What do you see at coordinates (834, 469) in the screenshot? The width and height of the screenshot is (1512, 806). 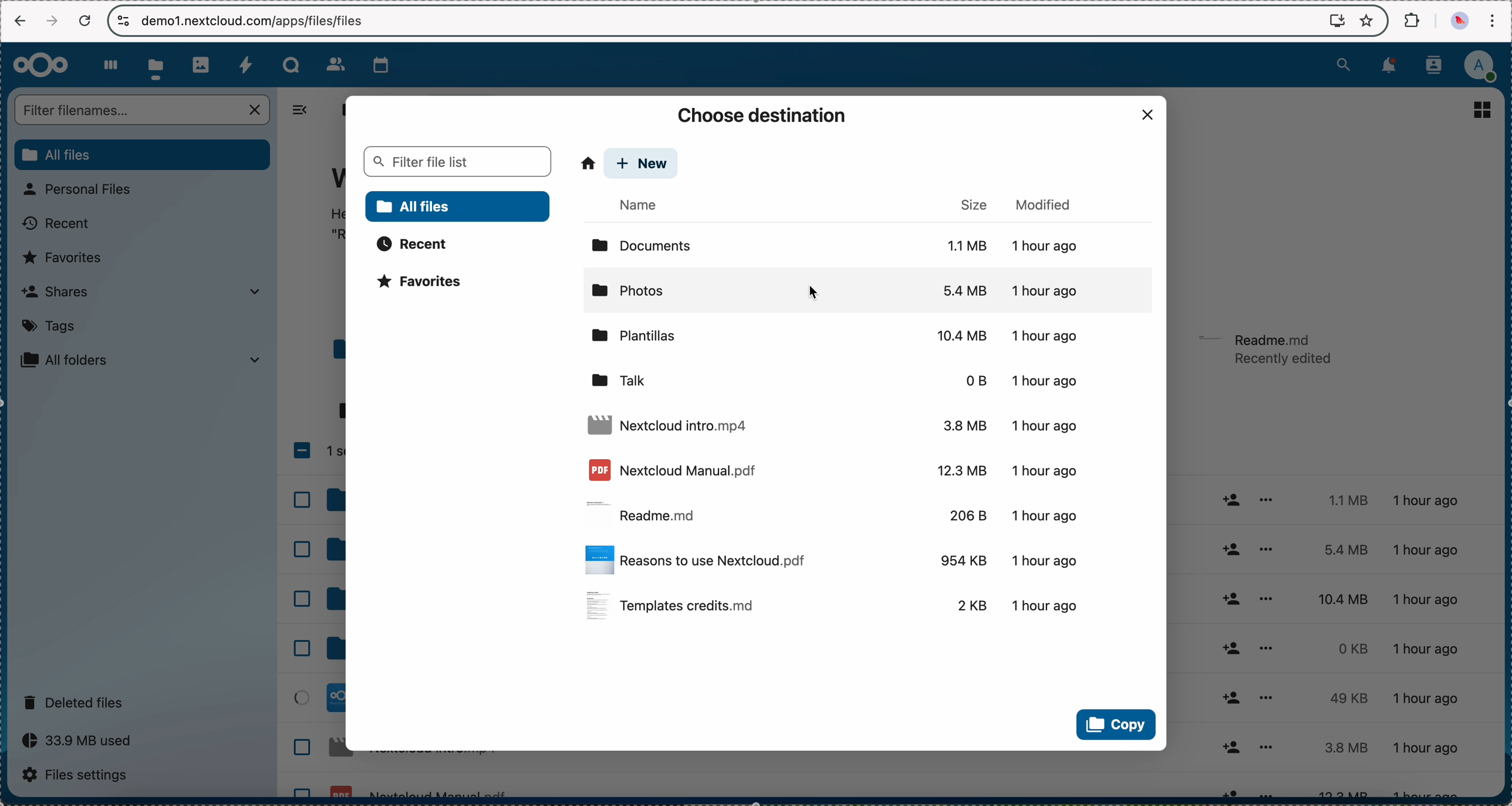 I see `file` at bounding box center [834, 469].